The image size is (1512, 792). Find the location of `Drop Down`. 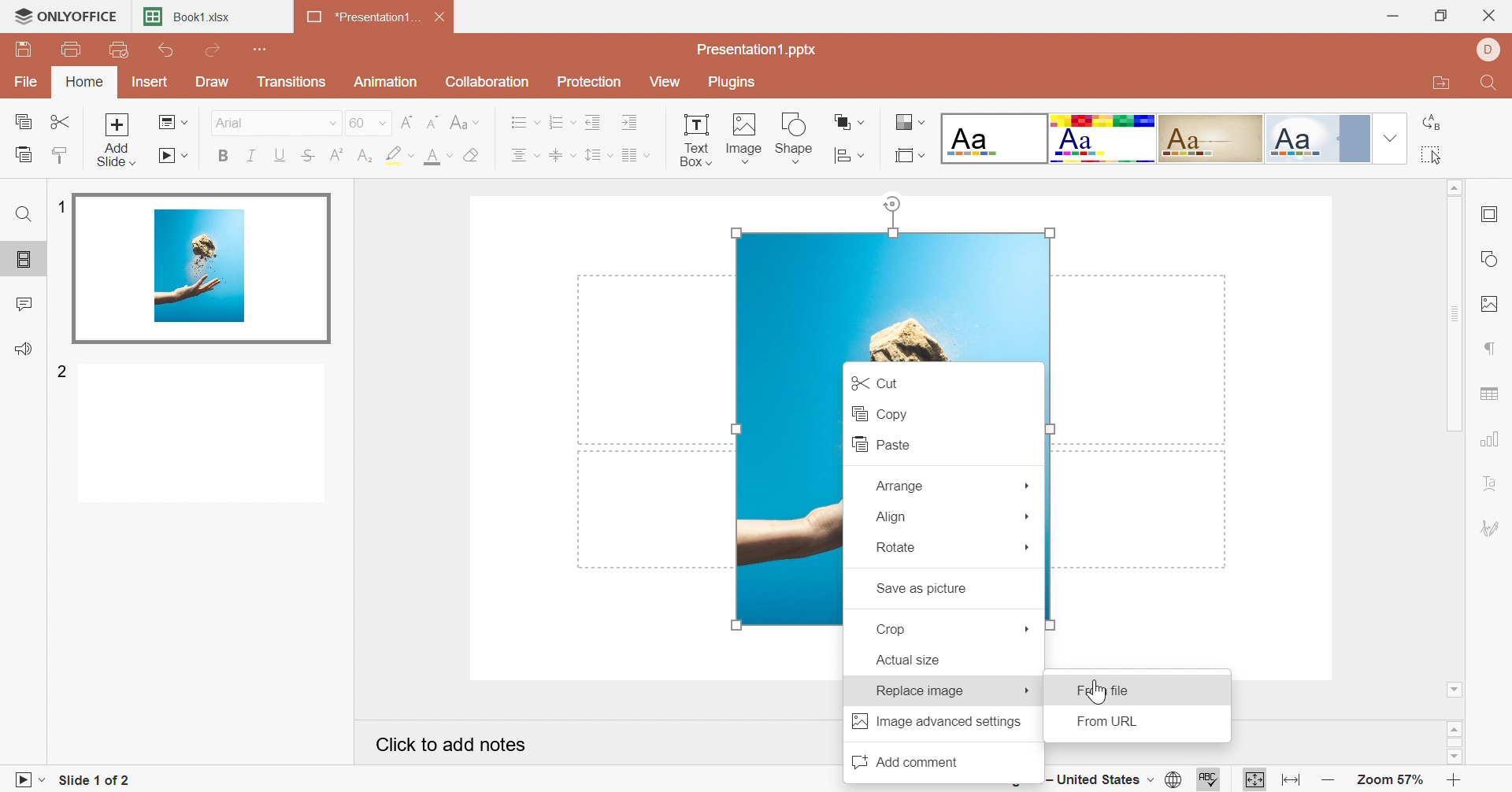

Drop Down is located at coordinates (1028, 549).